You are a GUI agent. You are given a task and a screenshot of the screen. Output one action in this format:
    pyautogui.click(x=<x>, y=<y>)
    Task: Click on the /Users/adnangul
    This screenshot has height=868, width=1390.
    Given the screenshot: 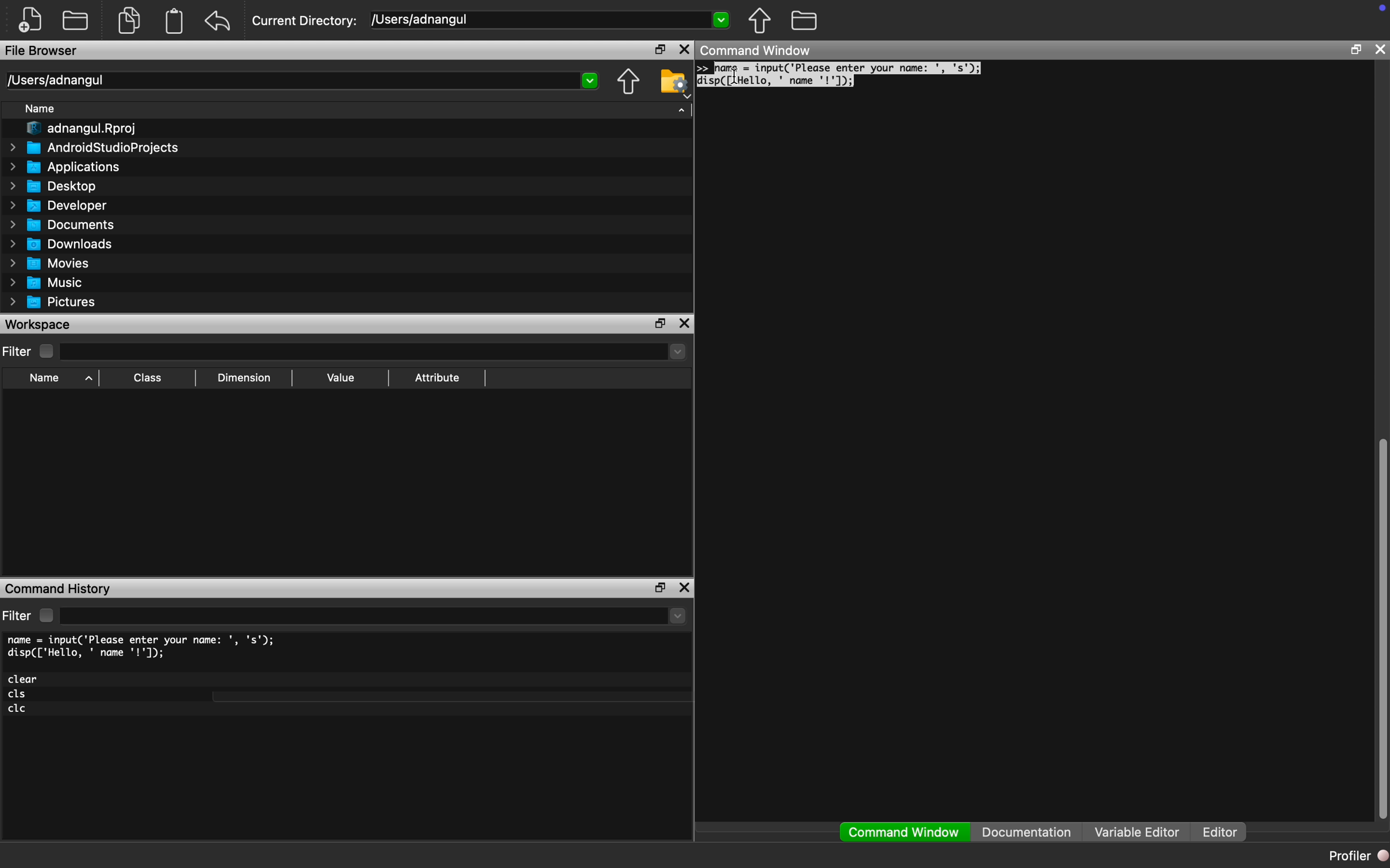 What is the action you would take?
    pyautogui.click(x=422, y=19)
    